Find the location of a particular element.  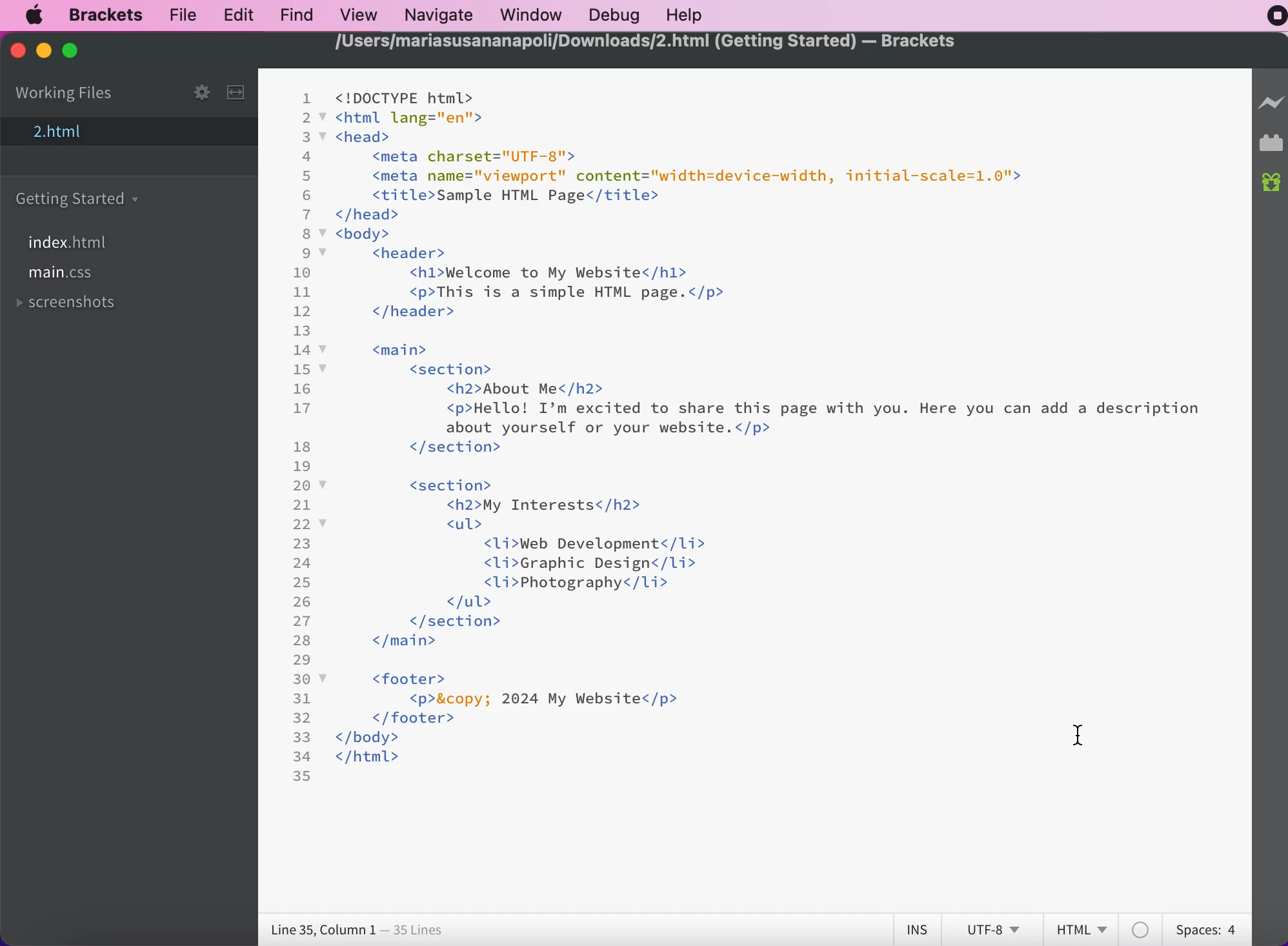

2 is located at coordinates (308, 118).